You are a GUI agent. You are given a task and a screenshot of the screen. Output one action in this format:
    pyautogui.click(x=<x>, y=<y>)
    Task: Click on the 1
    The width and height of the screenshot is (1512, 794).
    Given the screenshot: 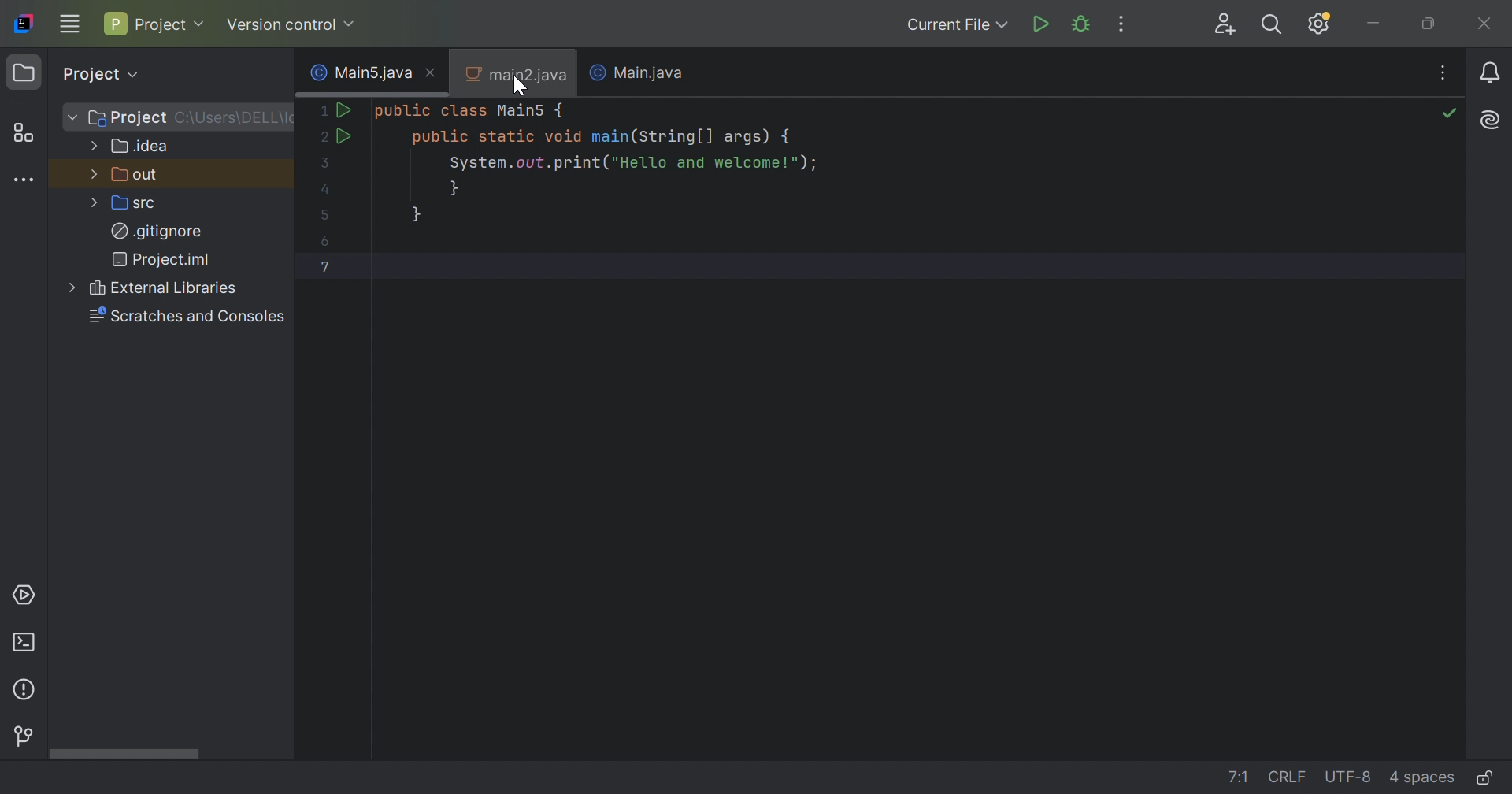 What is the action you would take?
    pyautogui.click(x=325, y=113)
    